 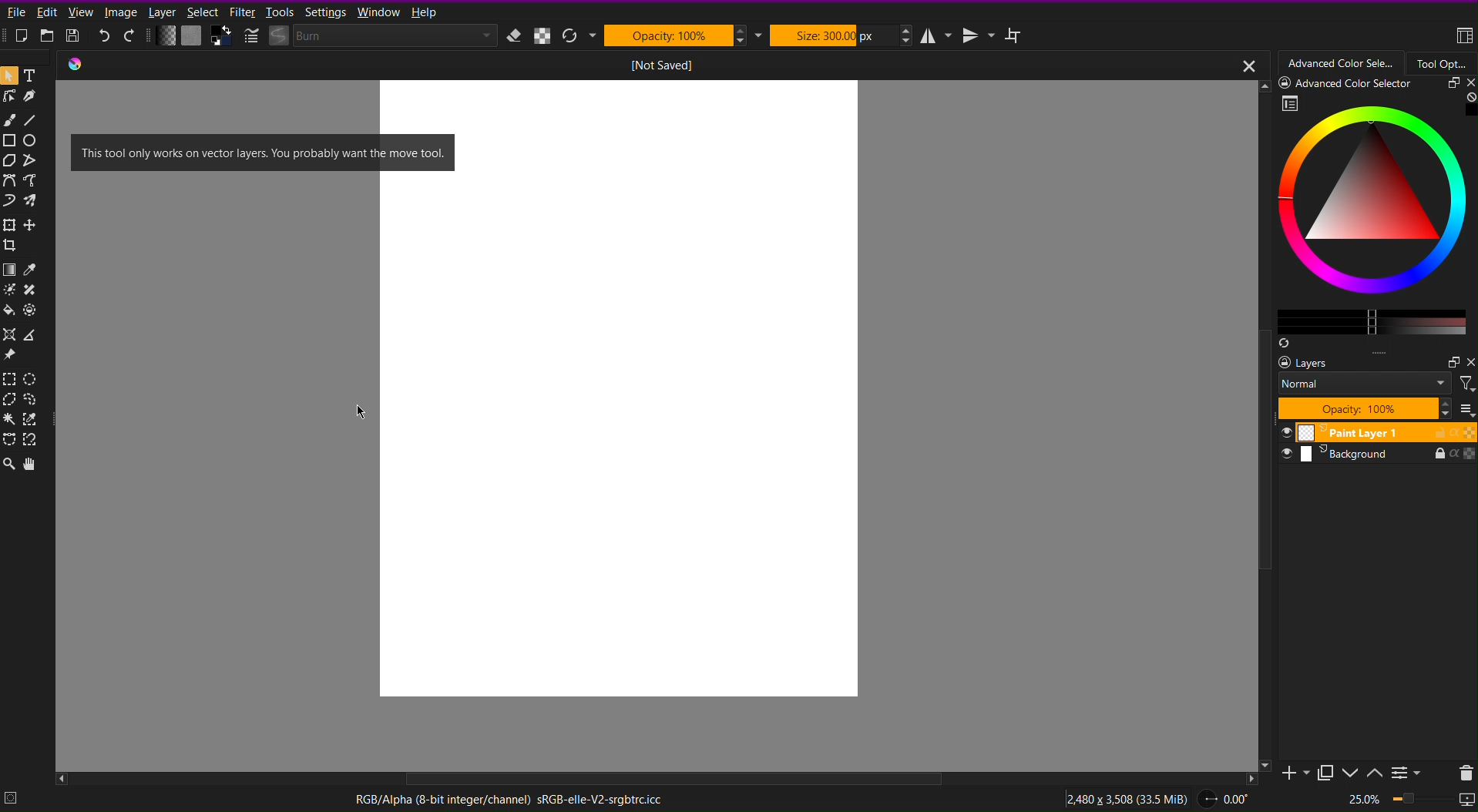 I want to click on Undo, so click(x=104, y=38).